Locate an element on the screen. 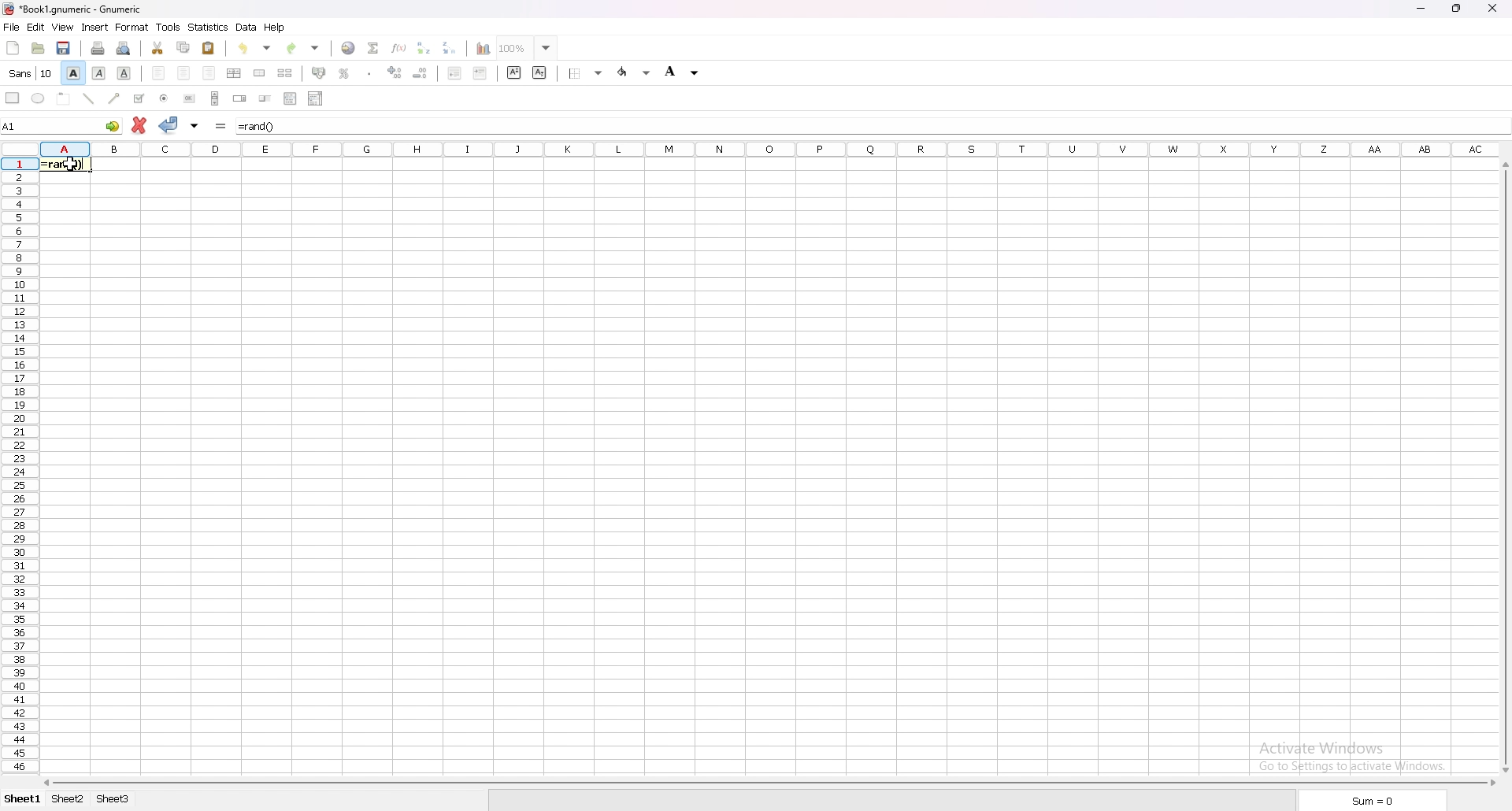 The height and width of the screenshot is (811, 1512). scroll bar is located at coordinates (771, 783).